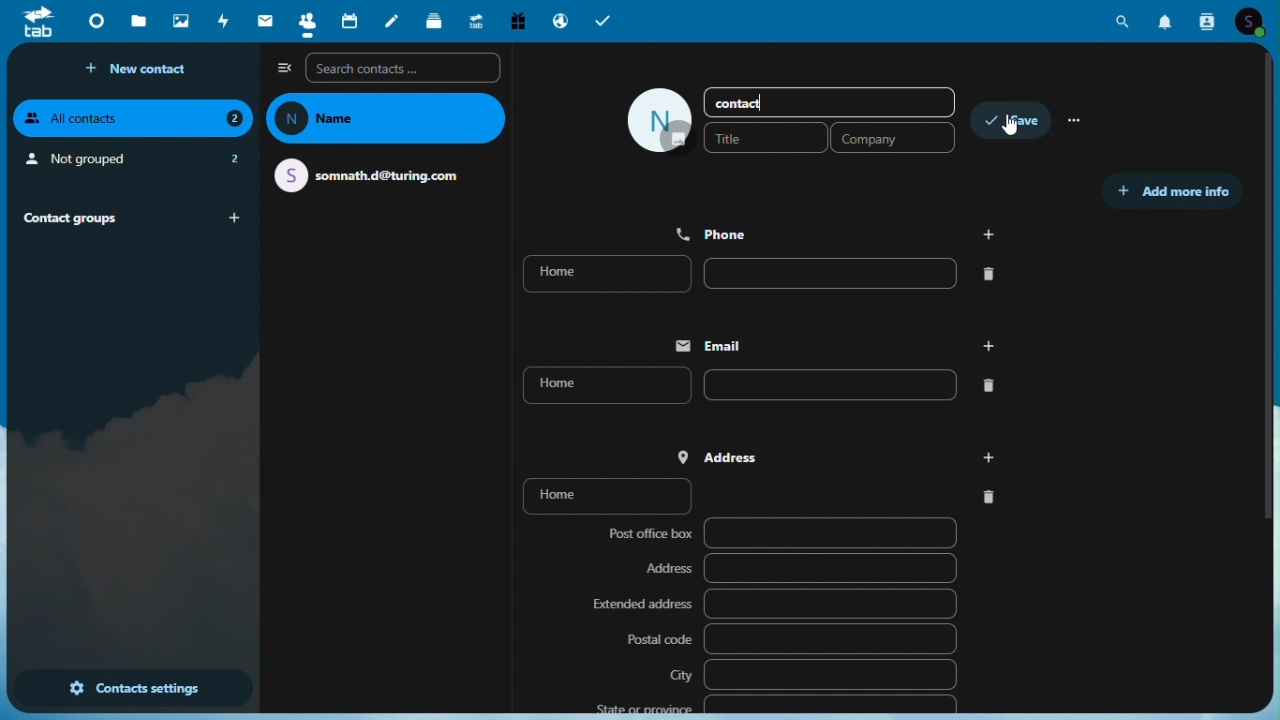 Image resolution: width=1280 pixels, height=720 pixels. Describe the element at coordinates (1126, 21) in the screenshot. I see `Search` at that location.